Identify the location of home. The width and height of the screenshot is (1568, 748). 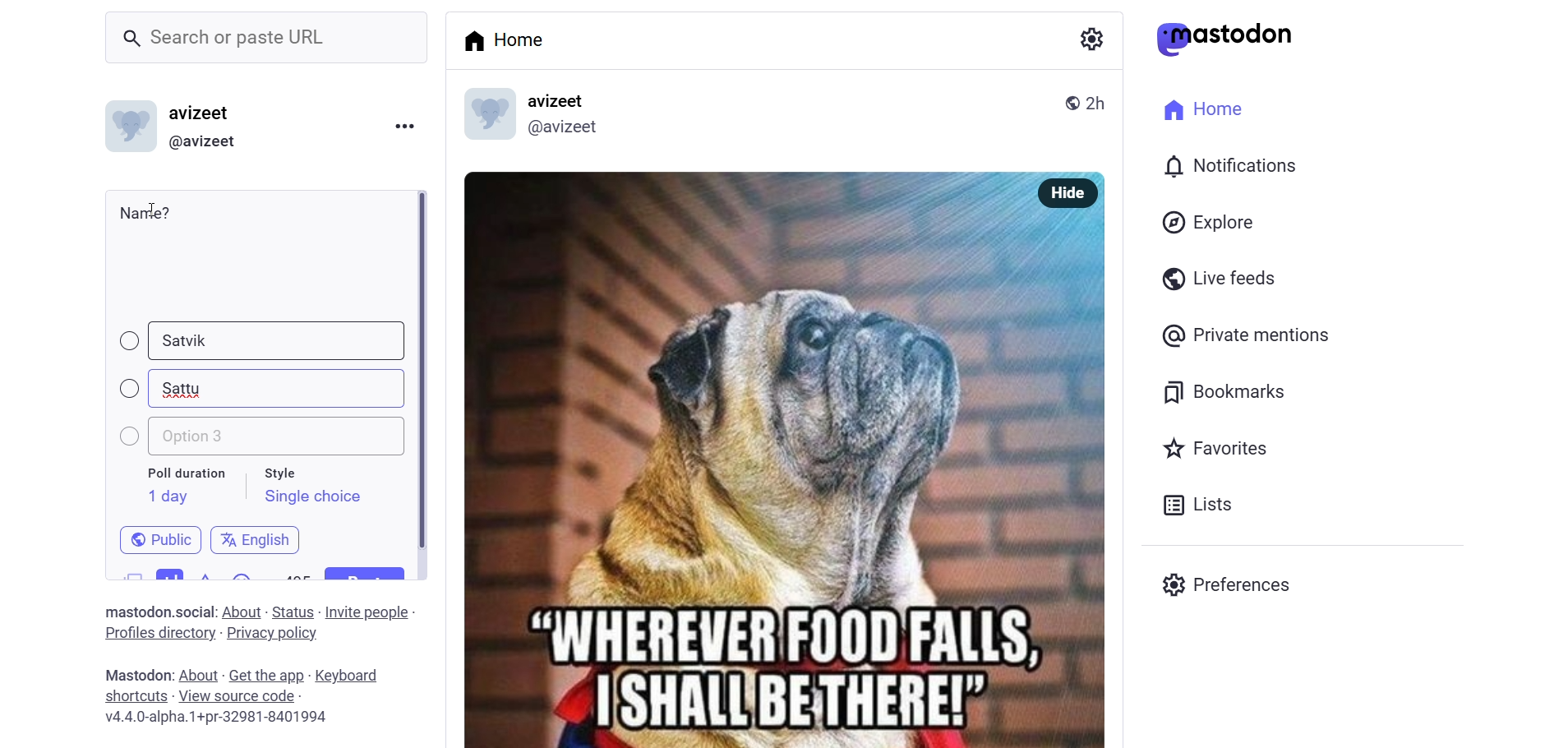
(1198, 107).